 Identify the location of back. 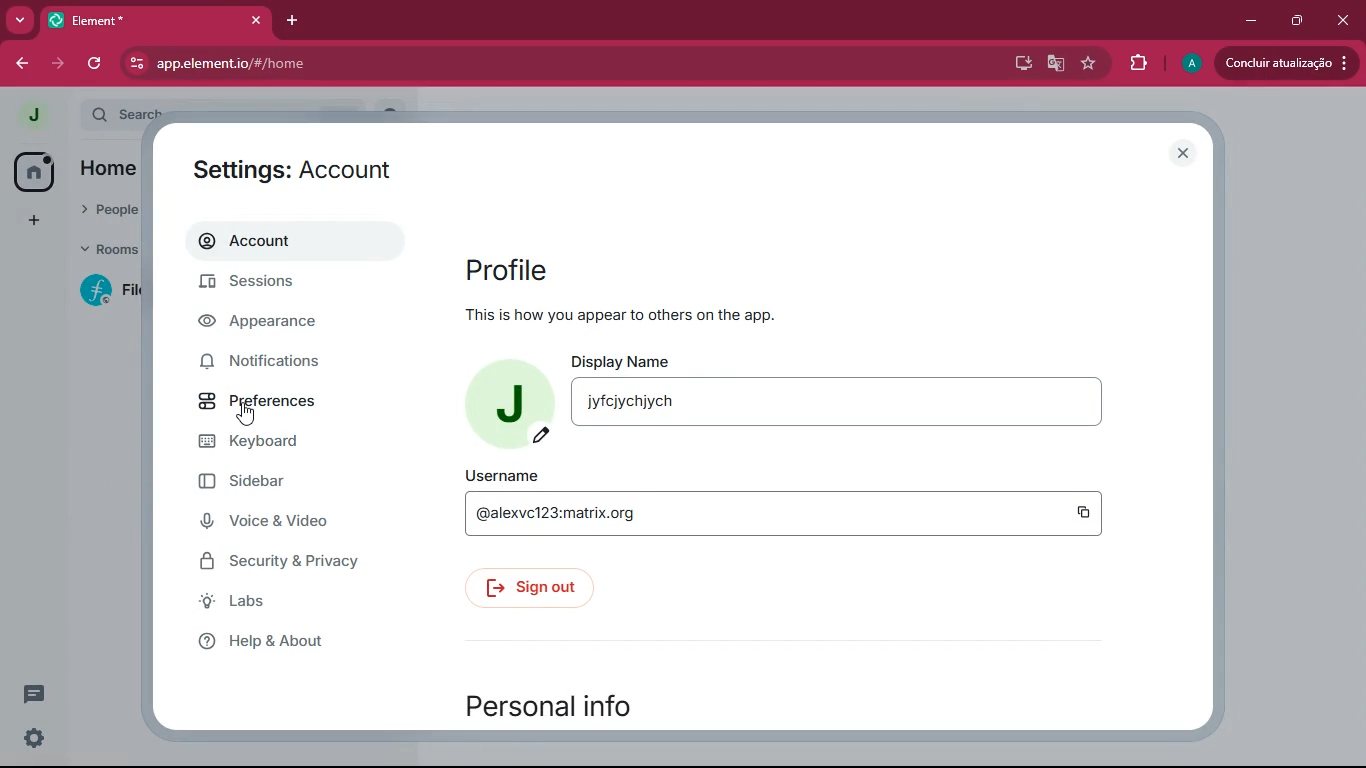
(26, 63).